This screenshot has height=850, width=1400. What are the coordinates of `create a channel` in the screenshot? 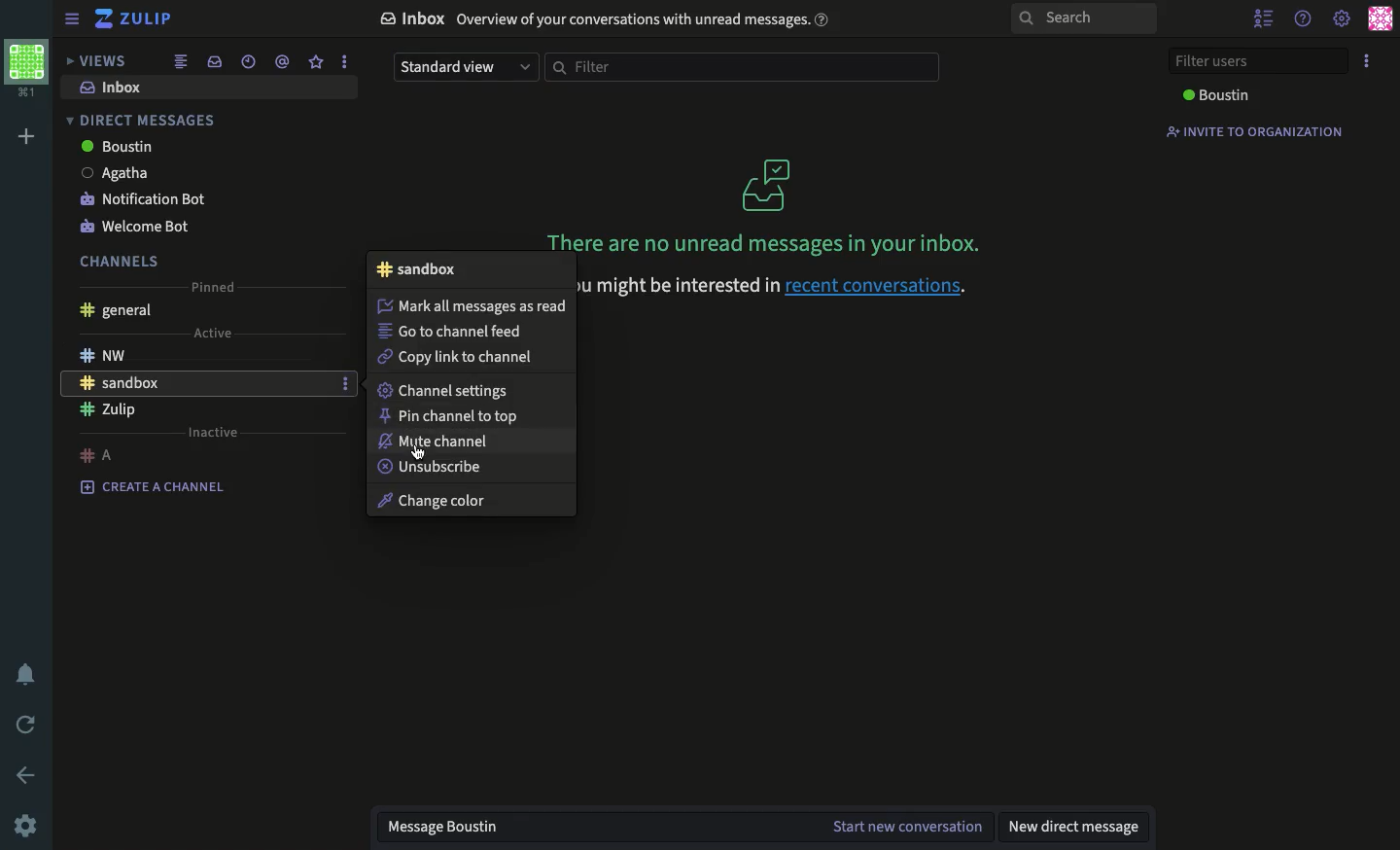 It's located at (154, 487).